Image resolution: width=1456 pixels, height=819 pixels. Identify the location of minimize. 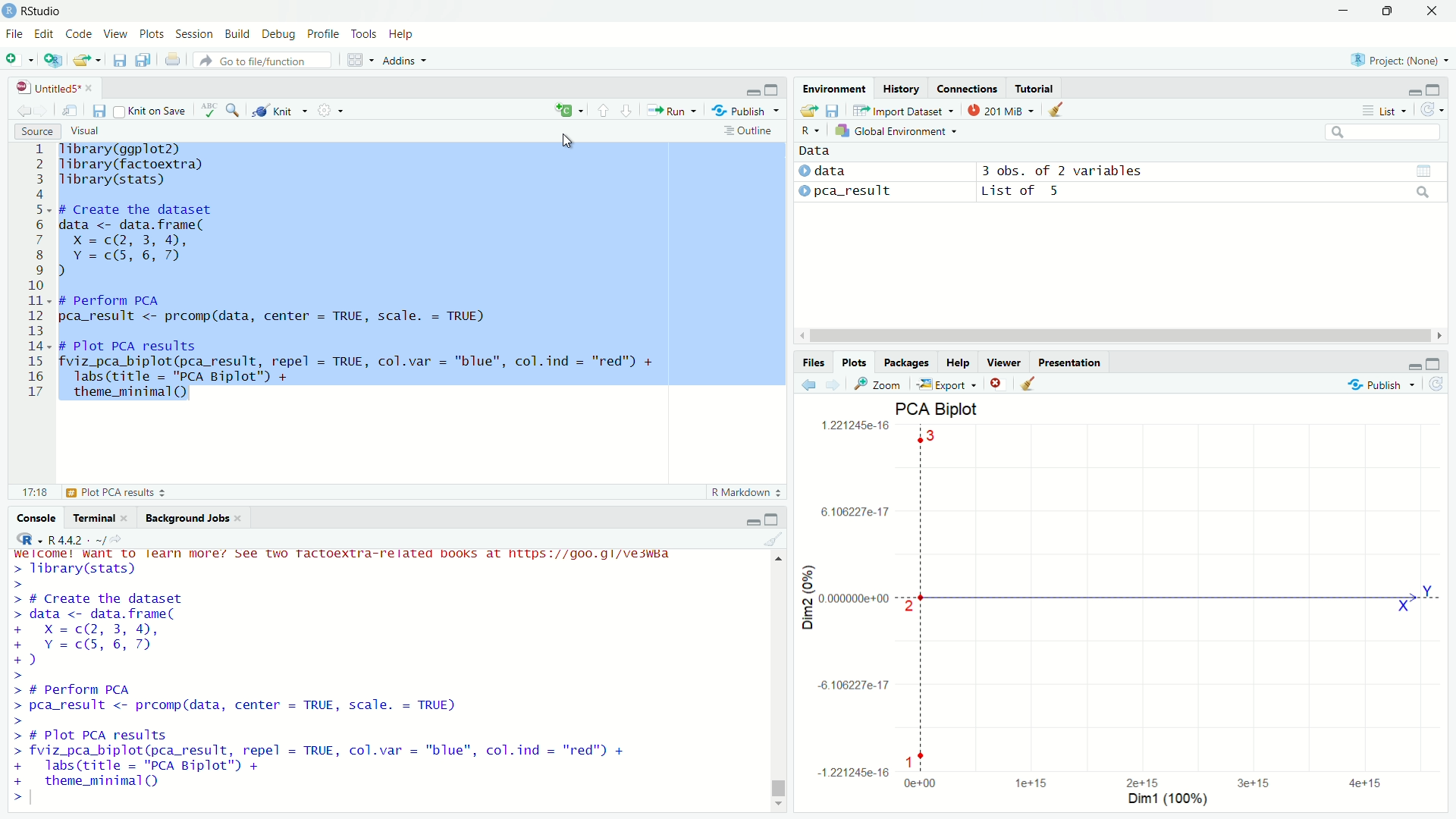
(752, 519).